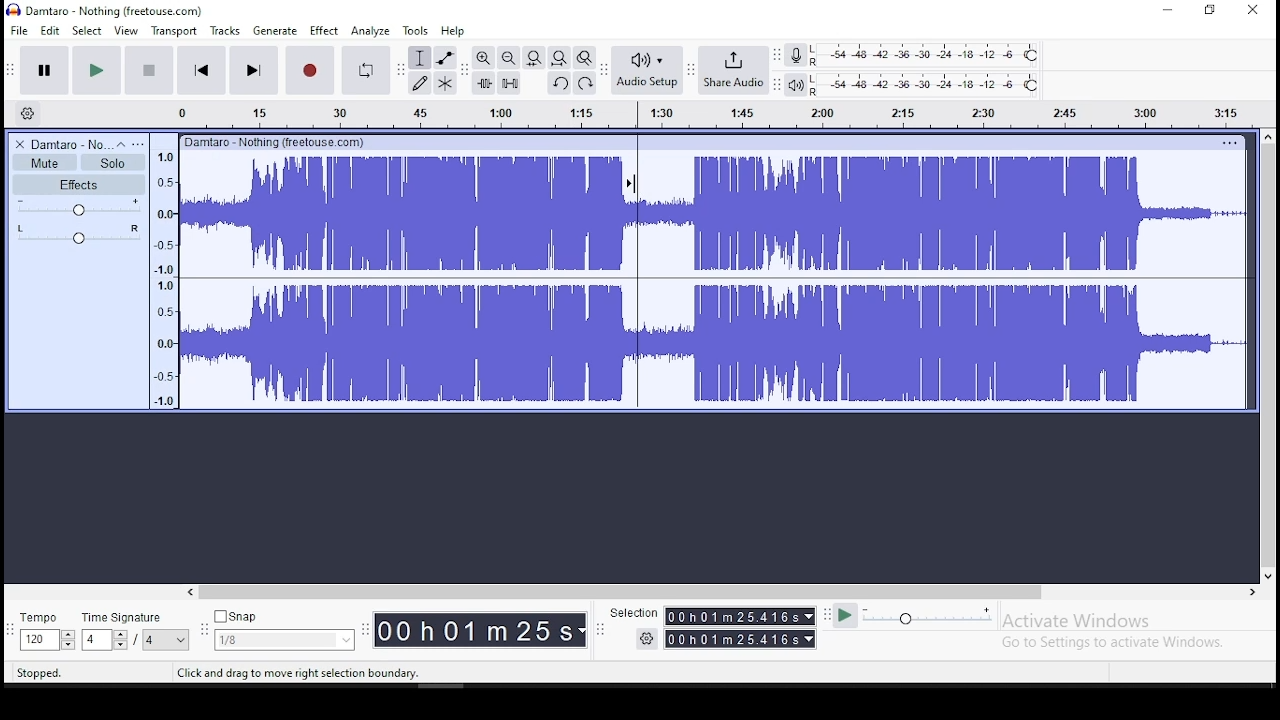  Describe the element at coordinates (88, 31) in the screenshot. I see `select` at that location.